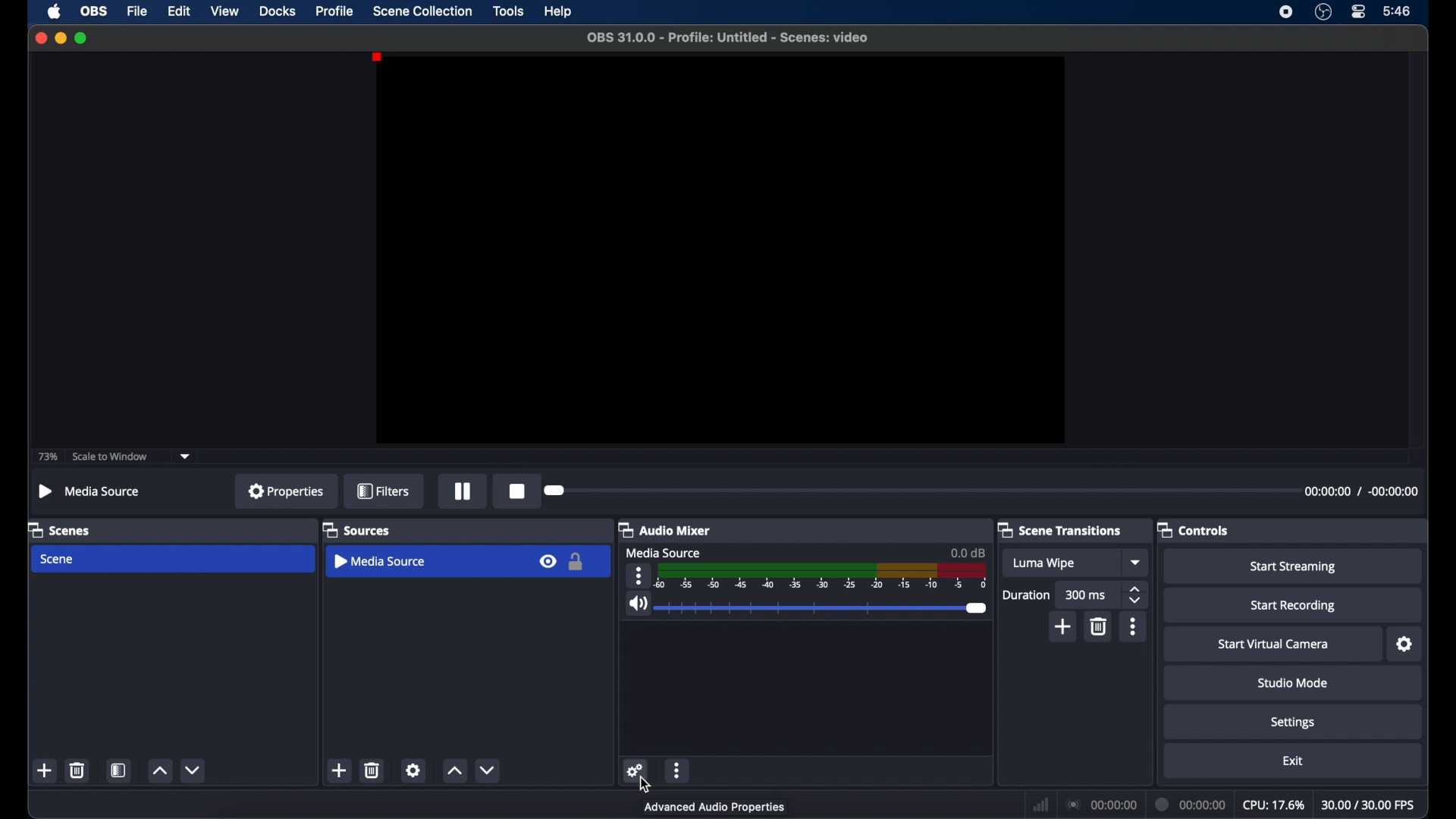 The width and height of the screenshot is (1456, 819). I want to click on settings, so click(1405, 645).